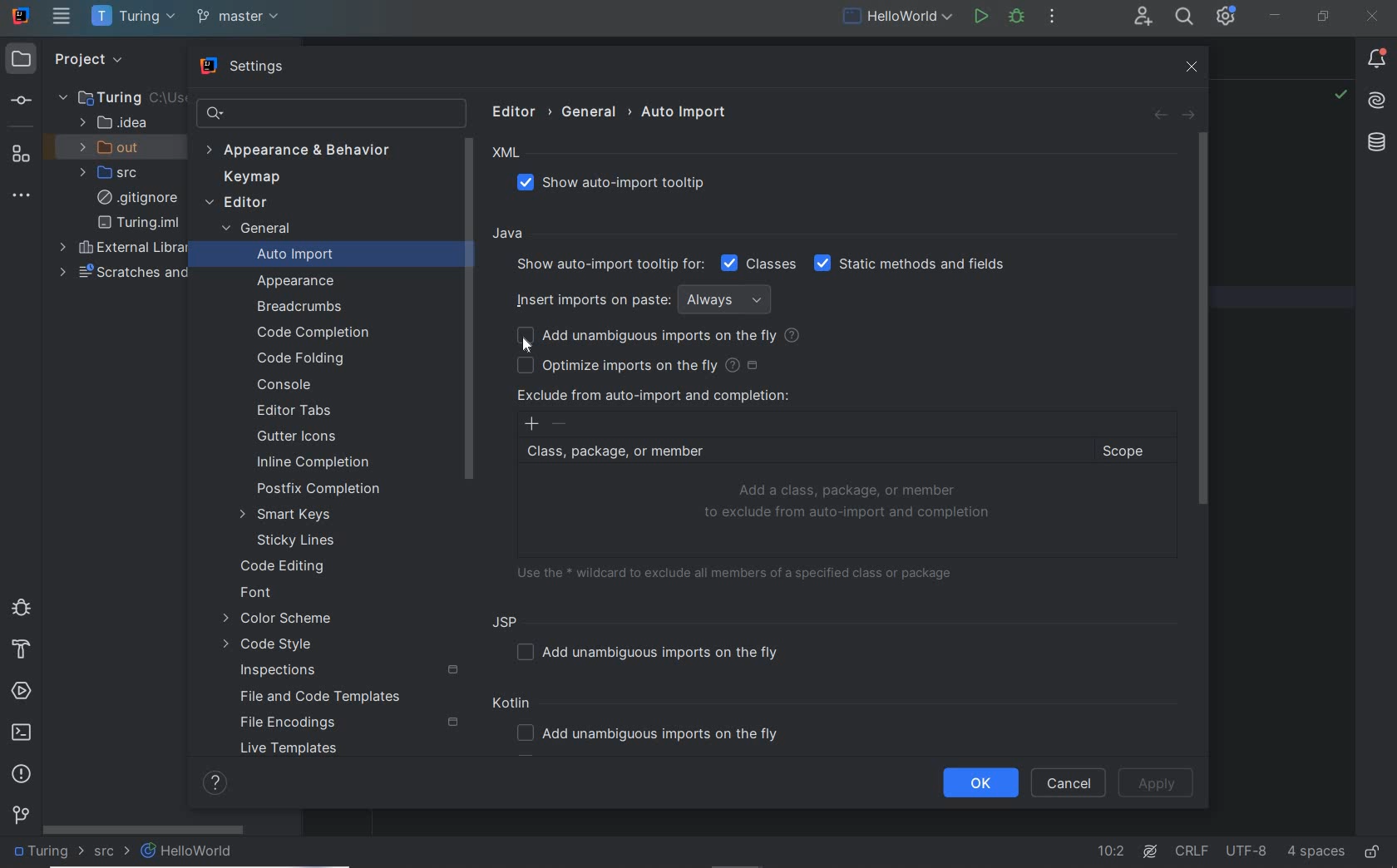  I want to click on CANCEL, so click(1069, 783).